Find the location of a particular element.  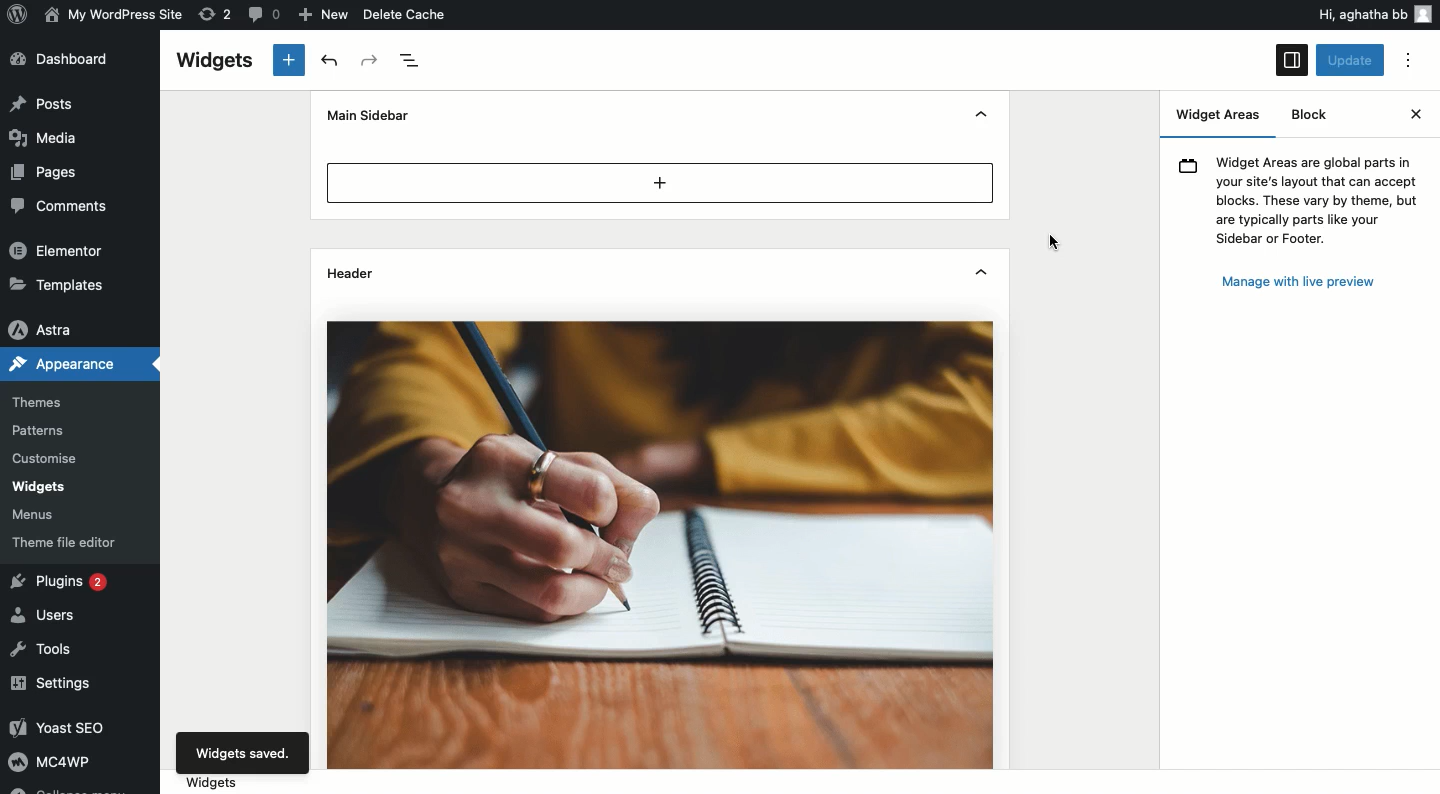

Users is located at coordinates (48, 613).